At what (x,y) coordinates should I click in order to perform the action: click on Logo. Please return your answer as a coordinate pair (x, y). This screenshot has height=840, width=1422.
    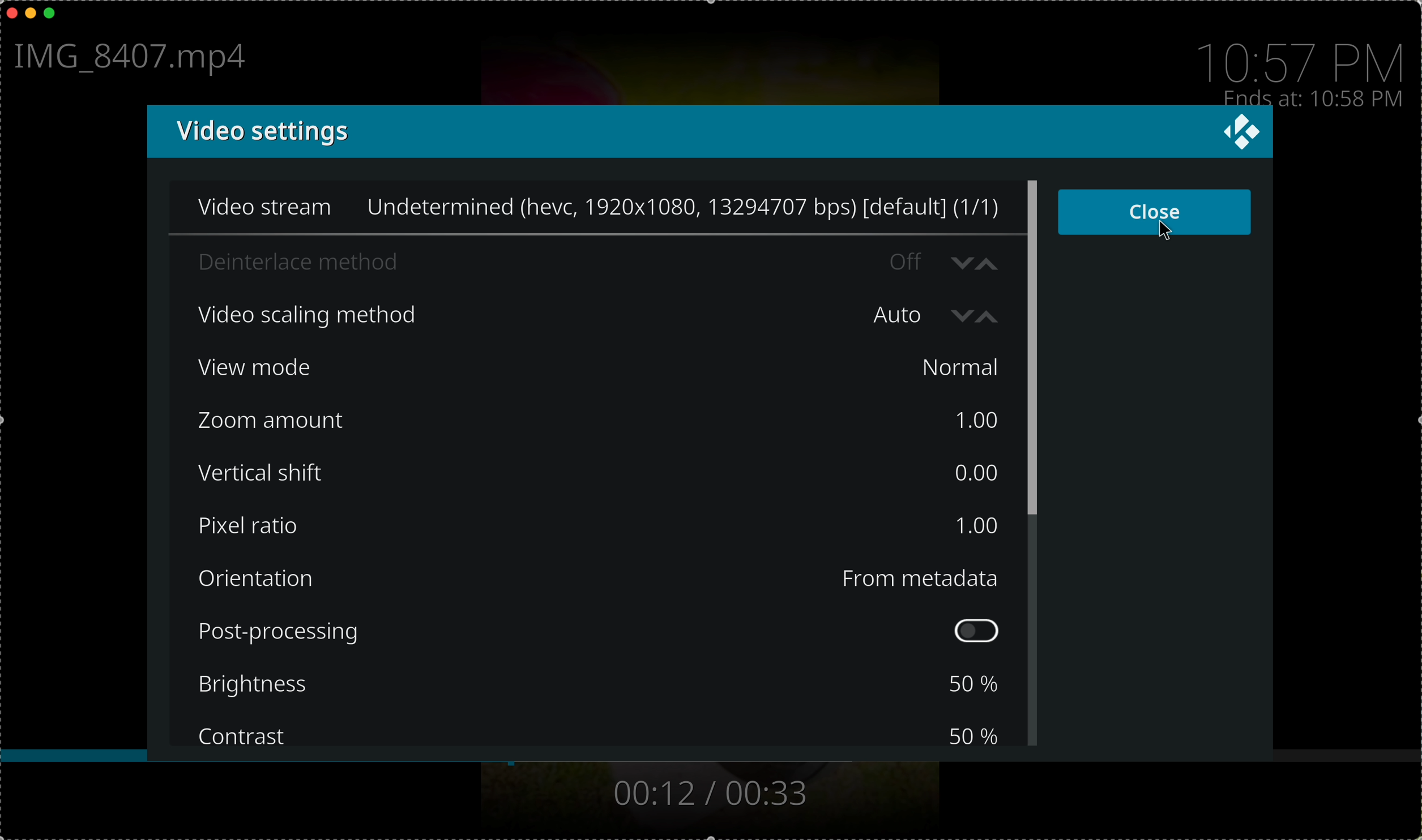
    Looking at the image, I should click on (1240, 133).